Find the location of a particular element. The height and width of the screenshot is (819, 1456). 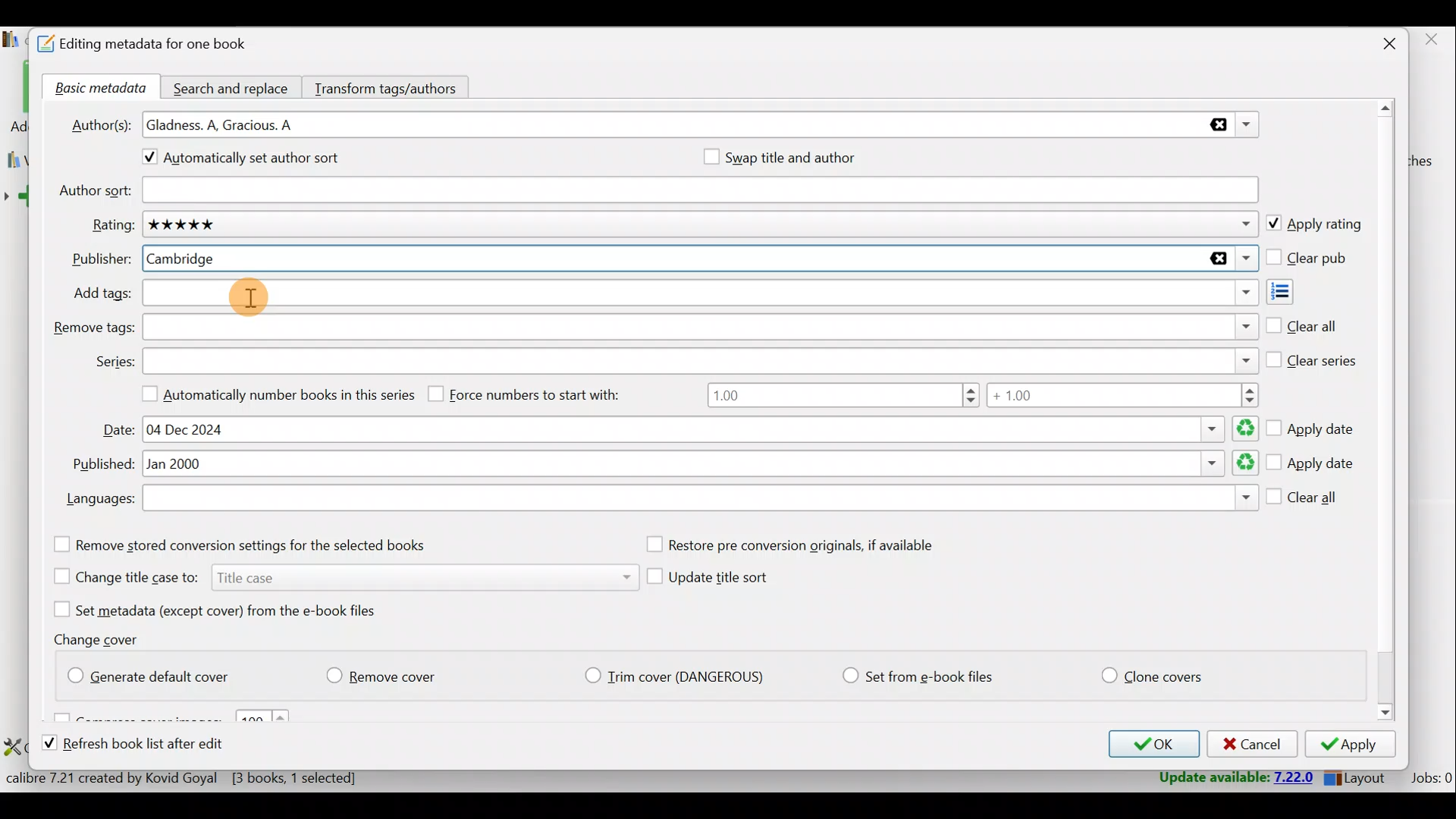

Clear all is located at coordinates (1302, 323).